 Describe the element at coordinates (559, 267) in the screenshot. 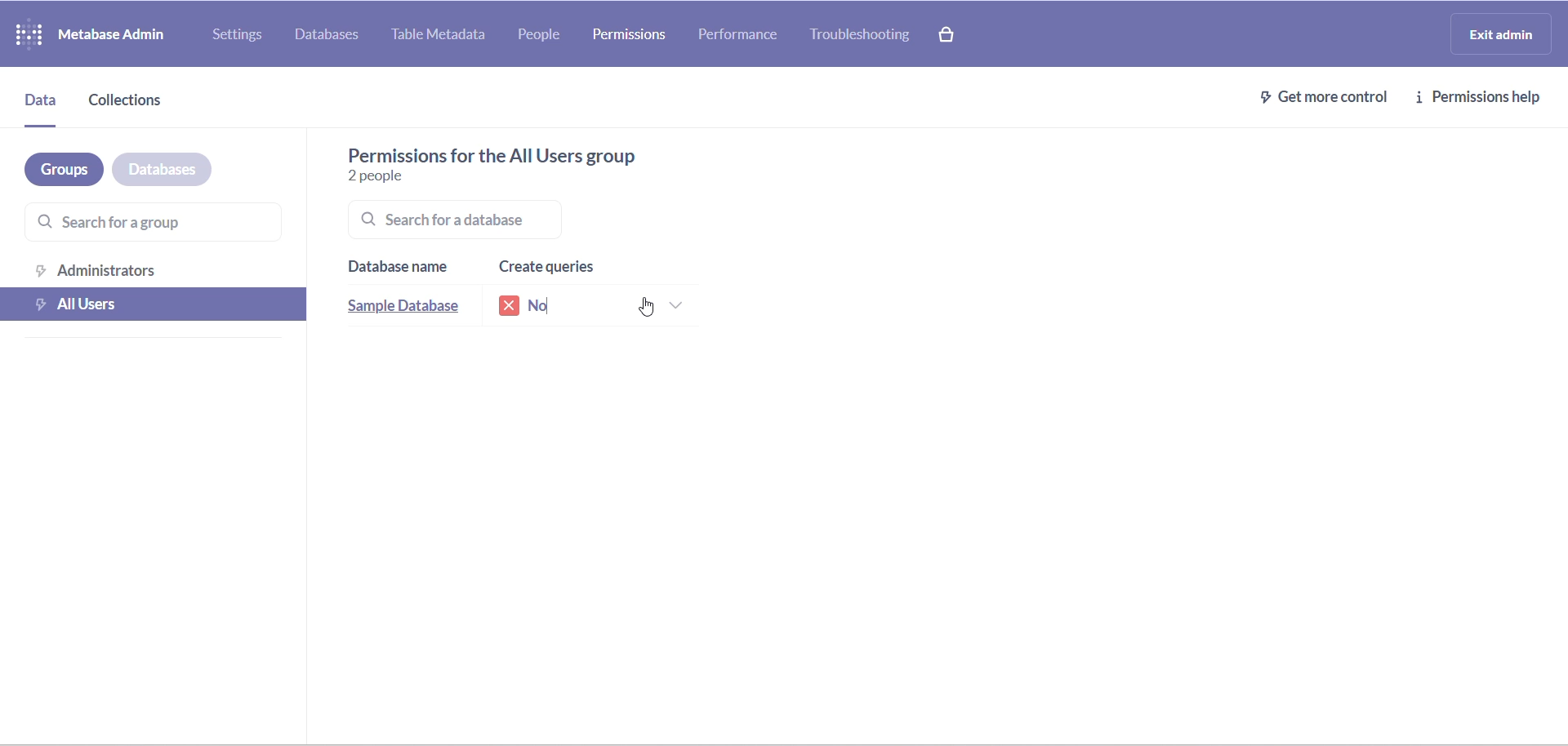

I see `create queries` at that location.